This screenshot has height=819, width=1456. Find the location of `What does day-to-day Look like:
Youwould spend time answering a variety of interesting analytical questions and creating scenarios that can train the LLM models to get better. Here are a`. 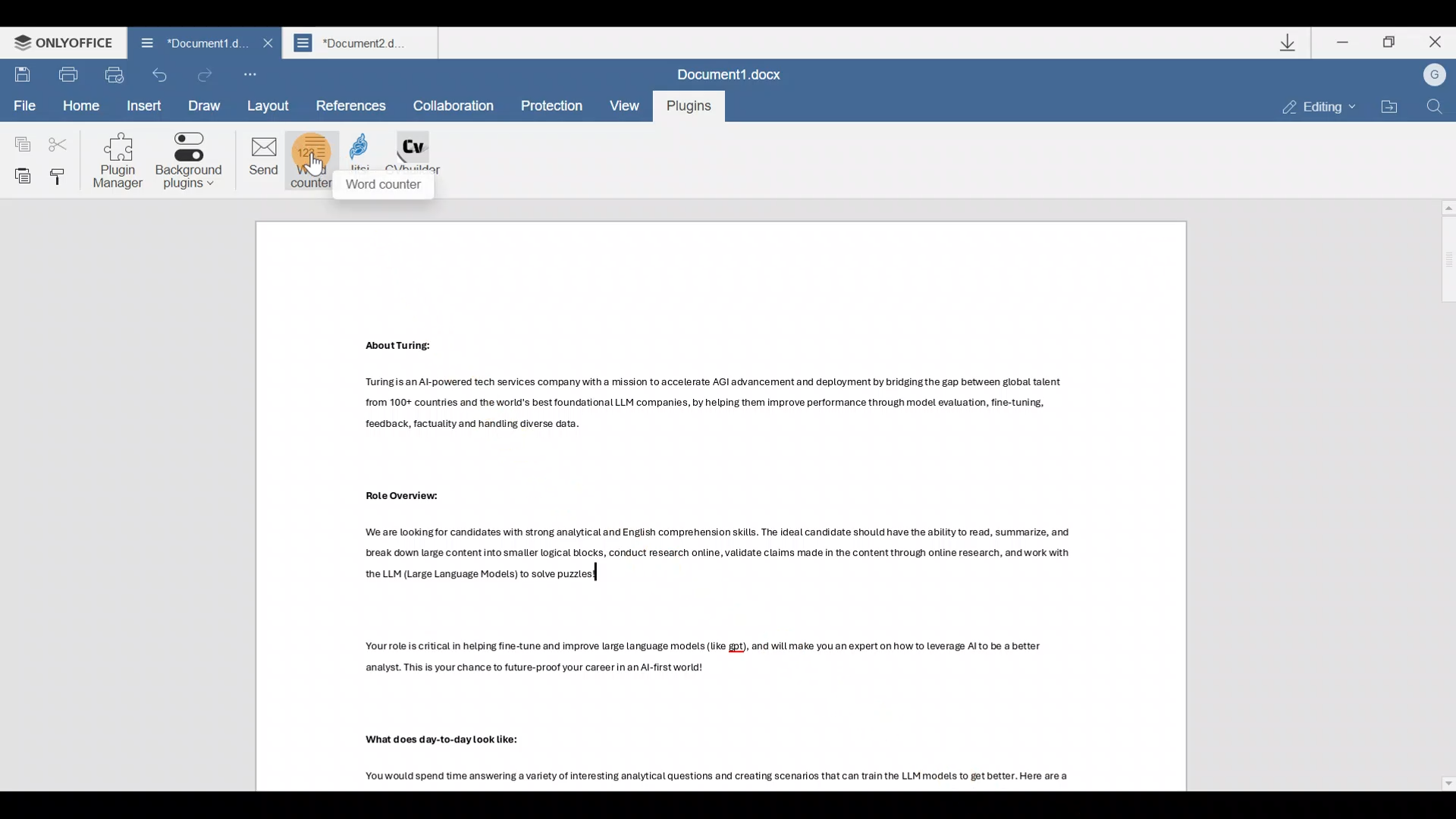

What does day-to-day Look like:
Youwould spend time answering a variety of interesting analytical questions and creating scenarios that can train the LLM models to get better. Here are a is located at coordinates (696, 754).